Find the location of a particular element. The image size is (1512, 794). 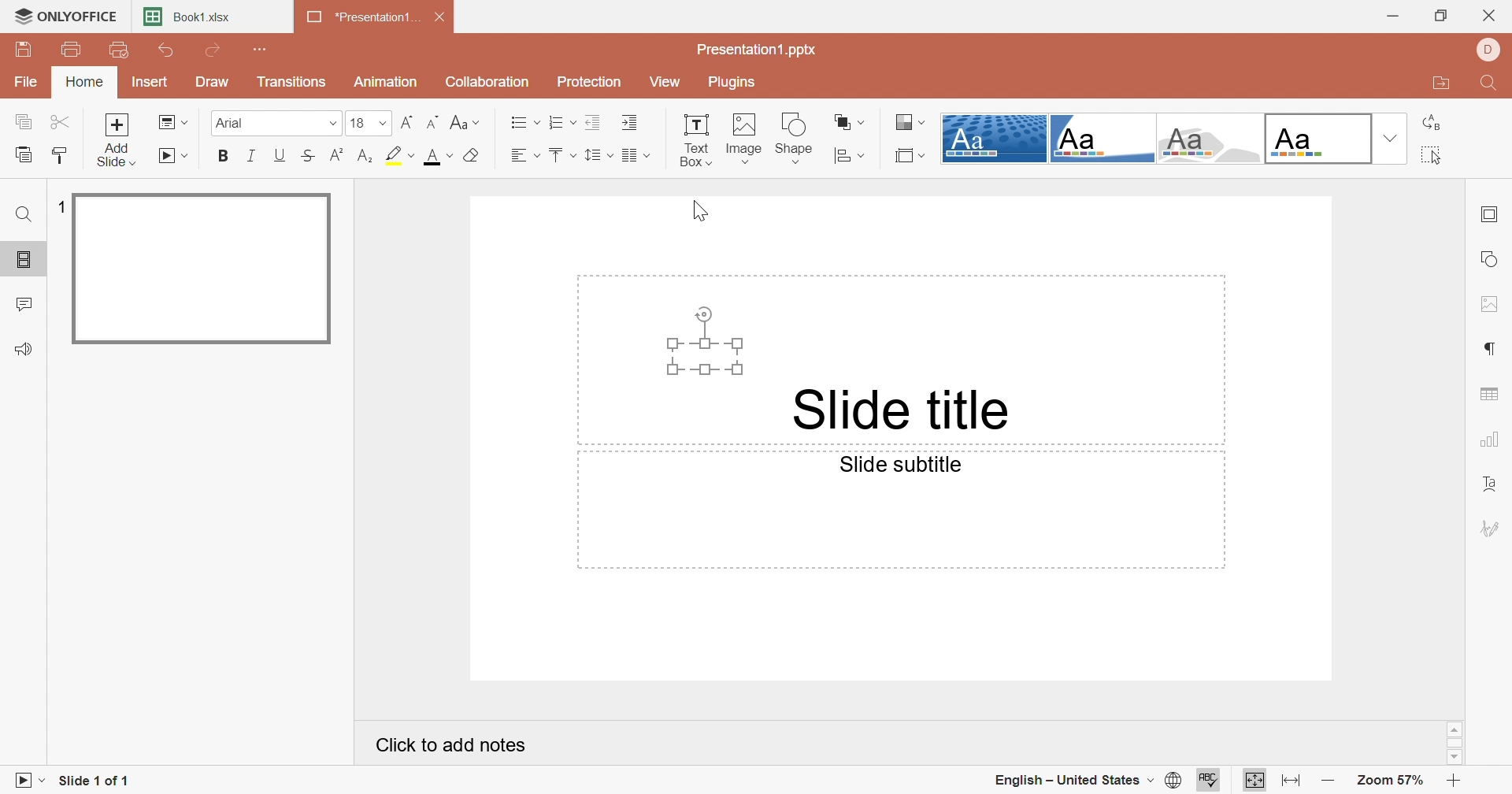

Slide is located at coordinates (201, 268).